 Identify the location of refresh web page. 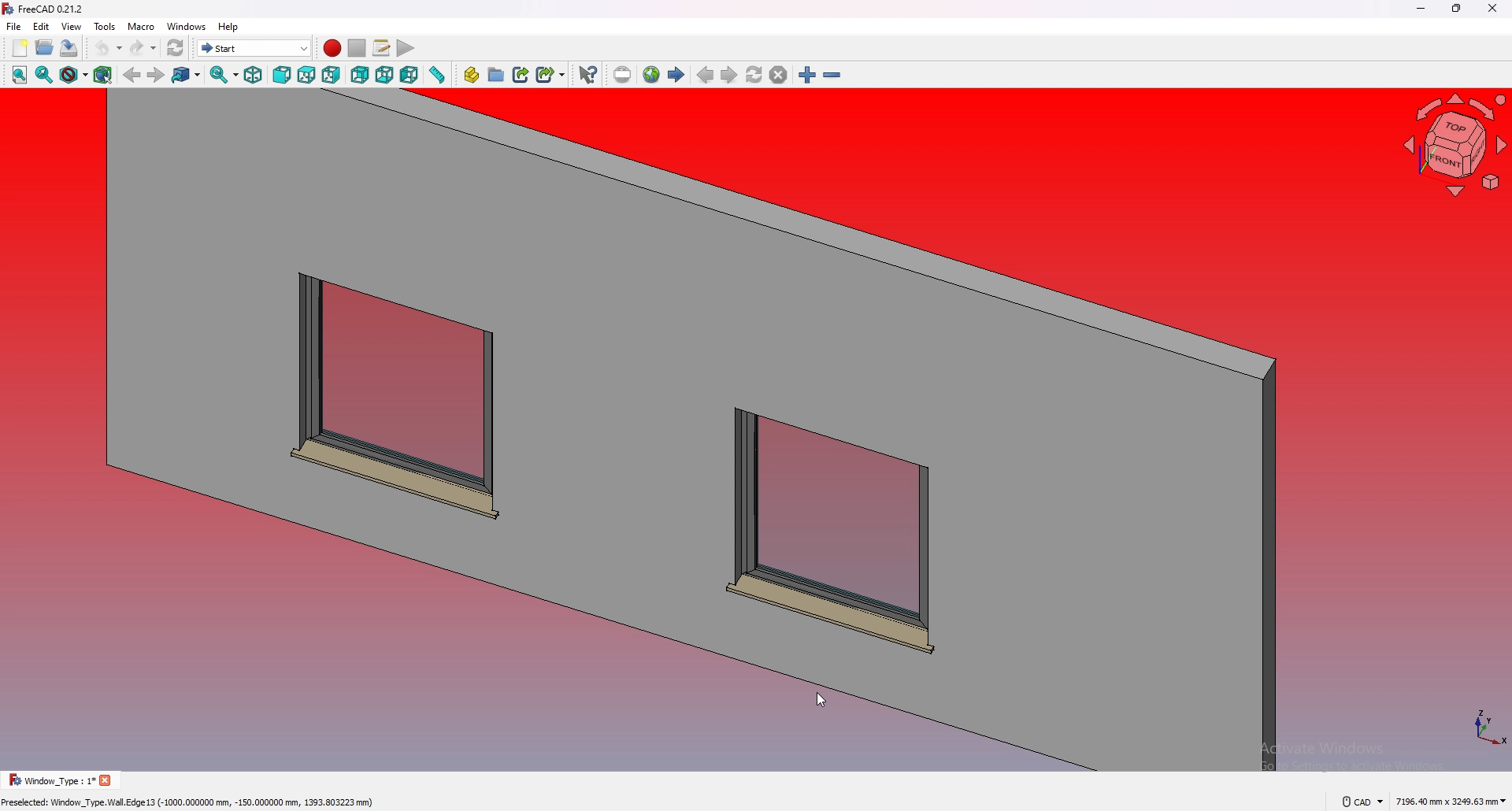
(755, 75).